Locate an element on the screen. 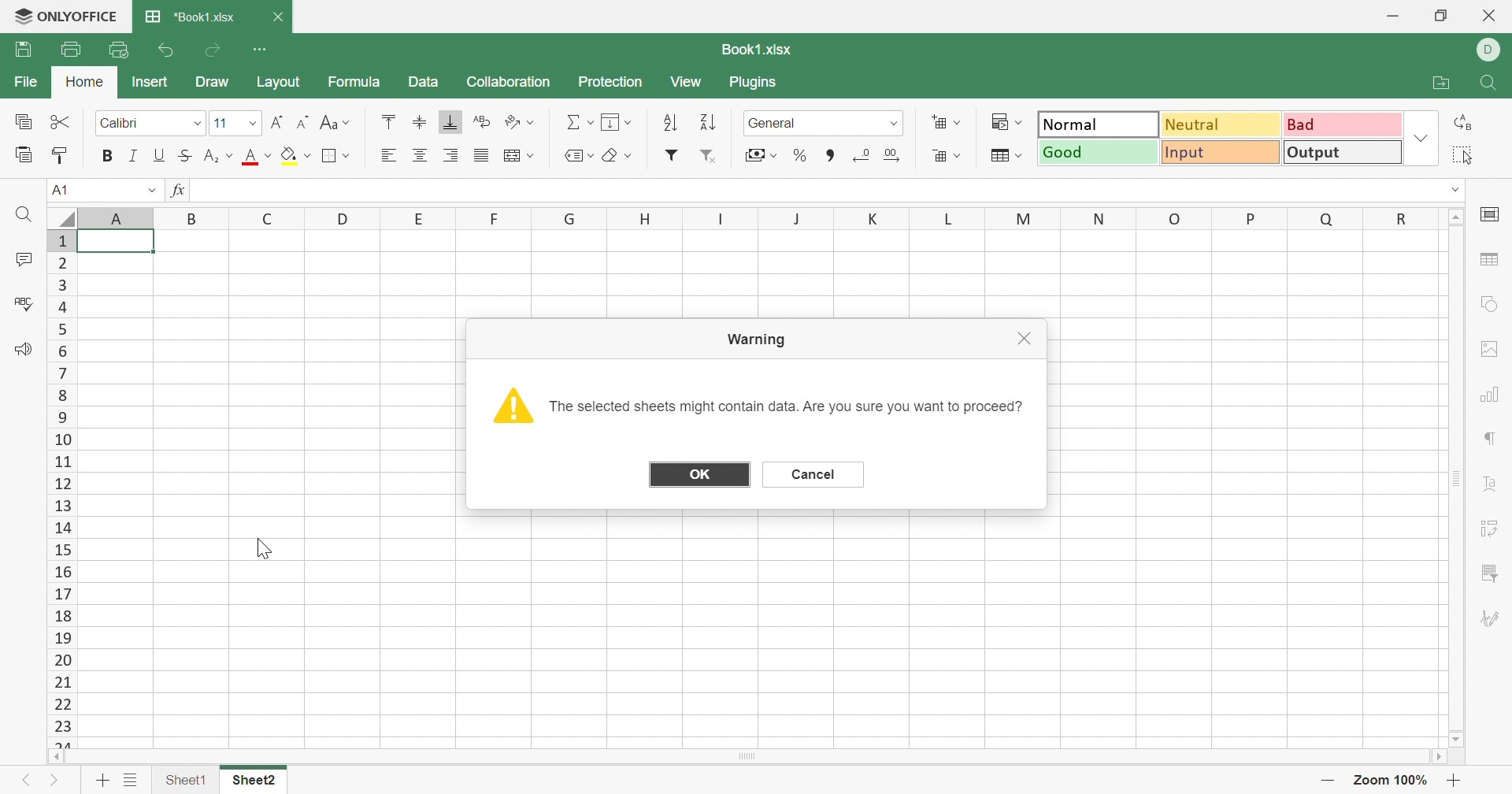 The height and width of the screenshot is (794, 1512). Scroll Right is located at coordinates (1436, 756).